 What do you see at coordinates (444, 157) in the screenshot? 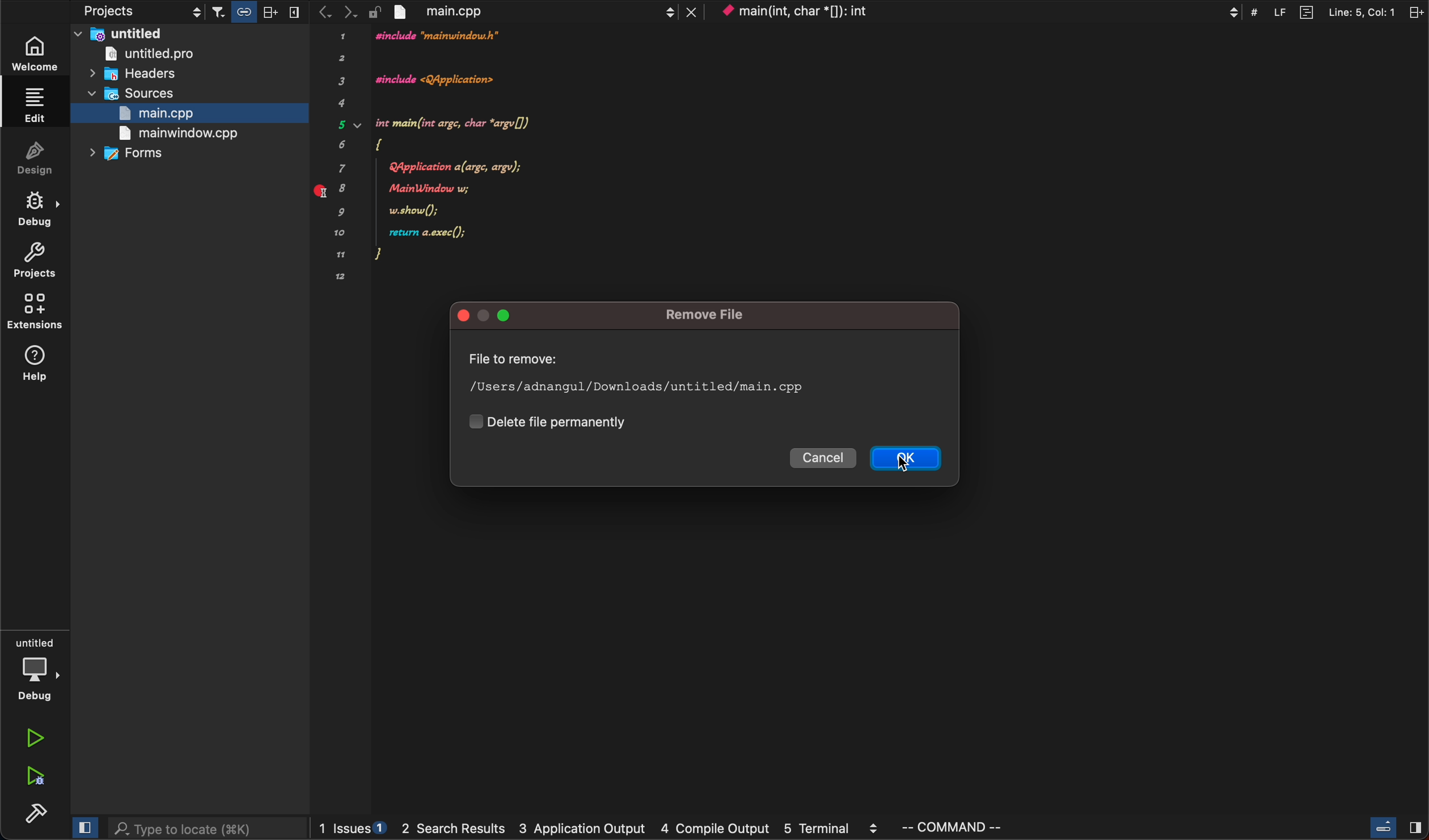
I see `code` at bounding box center [444, 157].